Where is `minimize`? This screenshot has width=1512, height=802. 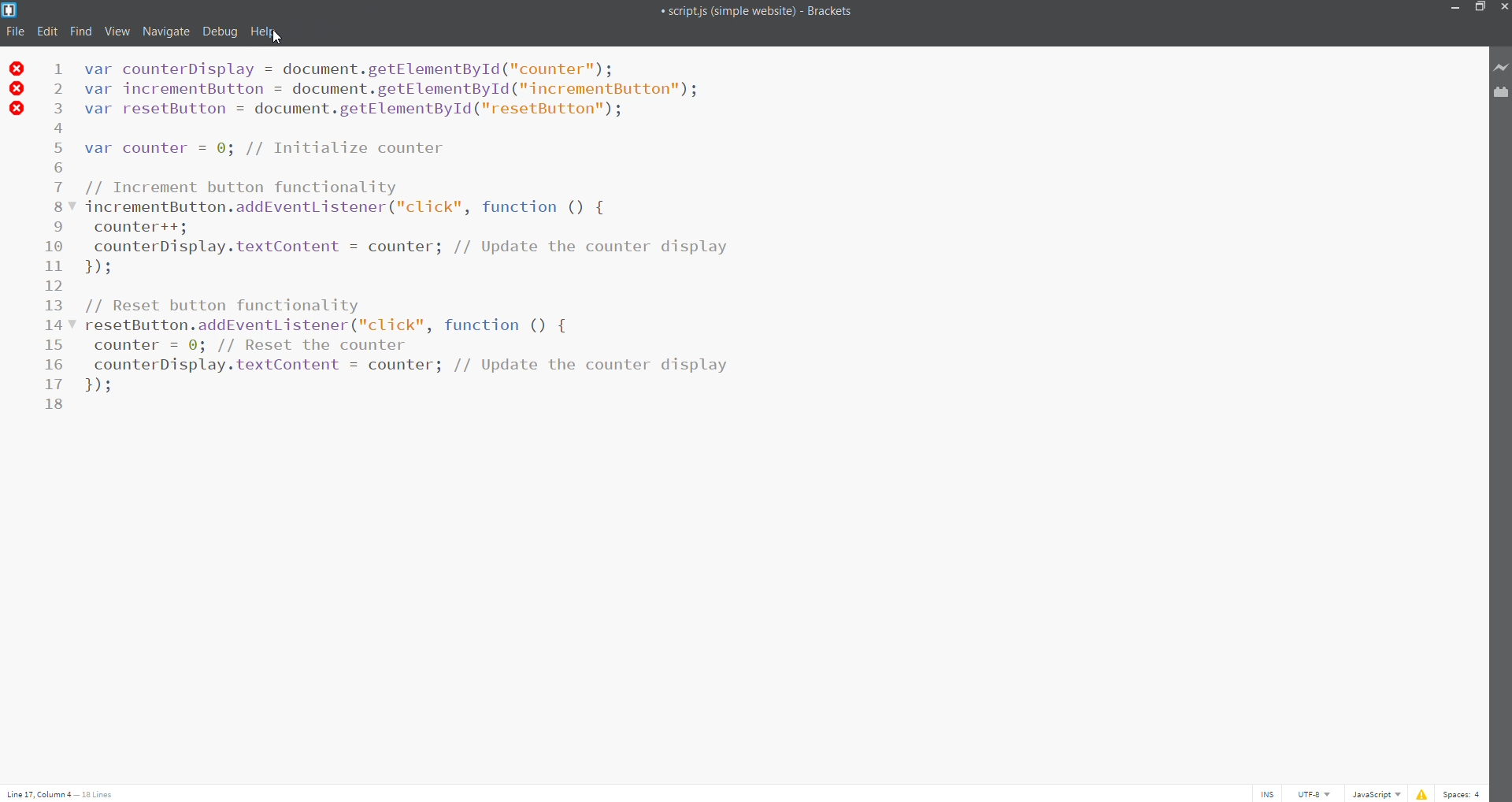 minimize is located at coordinates (1455, 9).